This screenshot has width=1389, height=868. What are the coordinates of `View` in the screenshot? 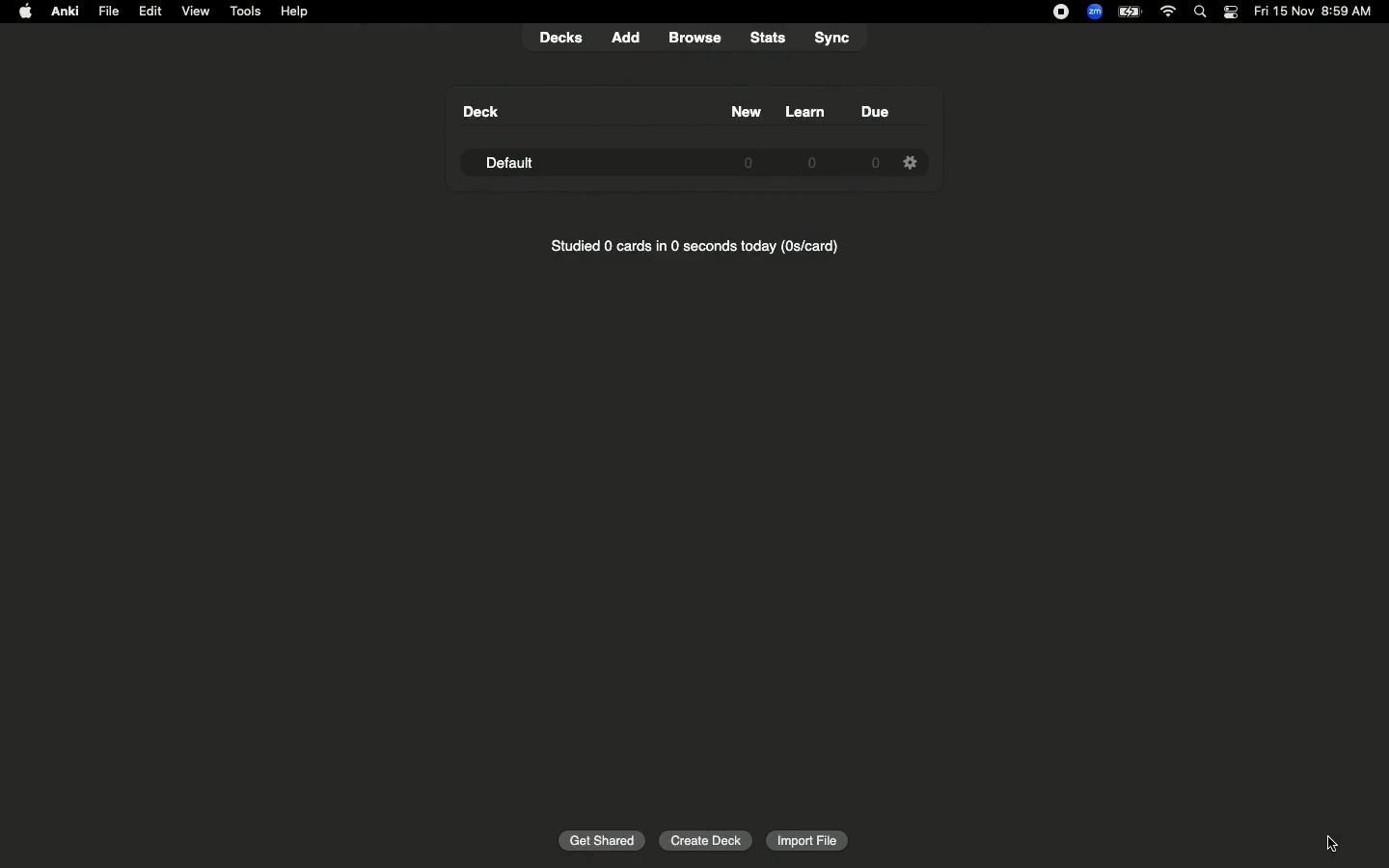 It's located at (197, 10).